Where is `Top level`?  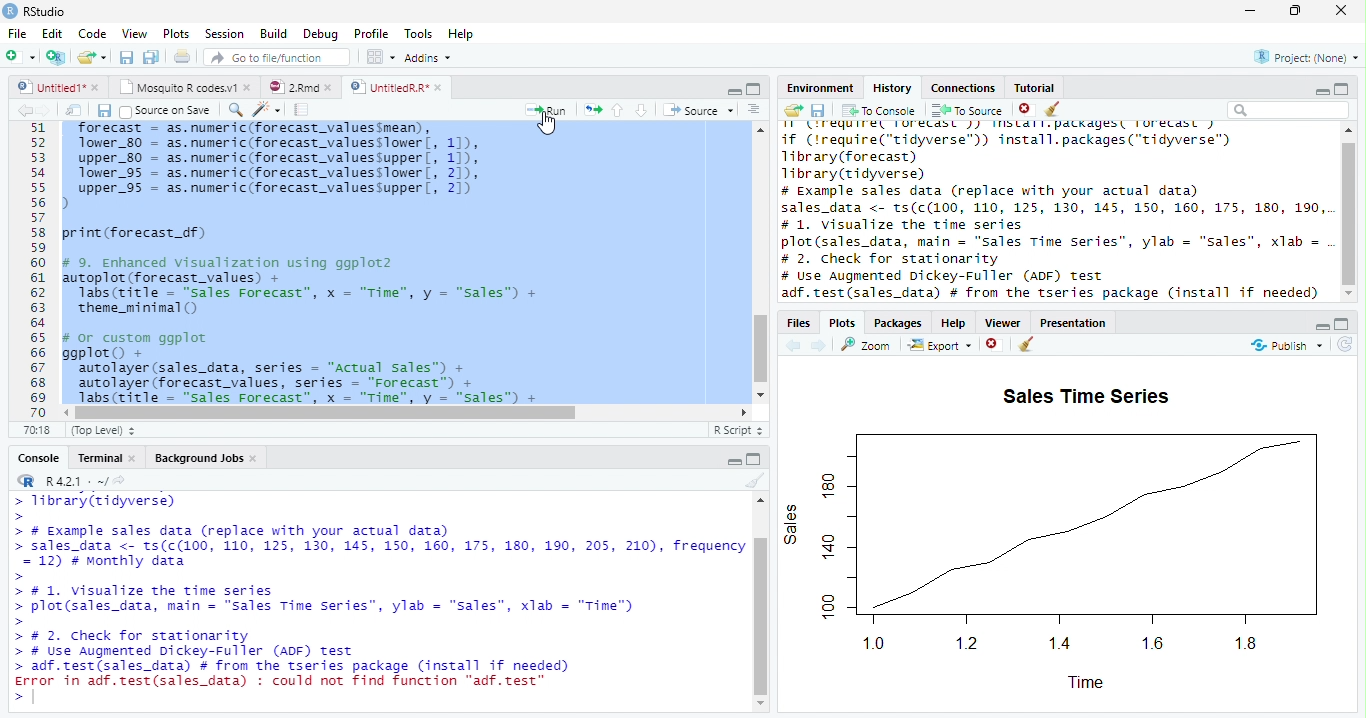 Top level is located at coordinates (102, 430).